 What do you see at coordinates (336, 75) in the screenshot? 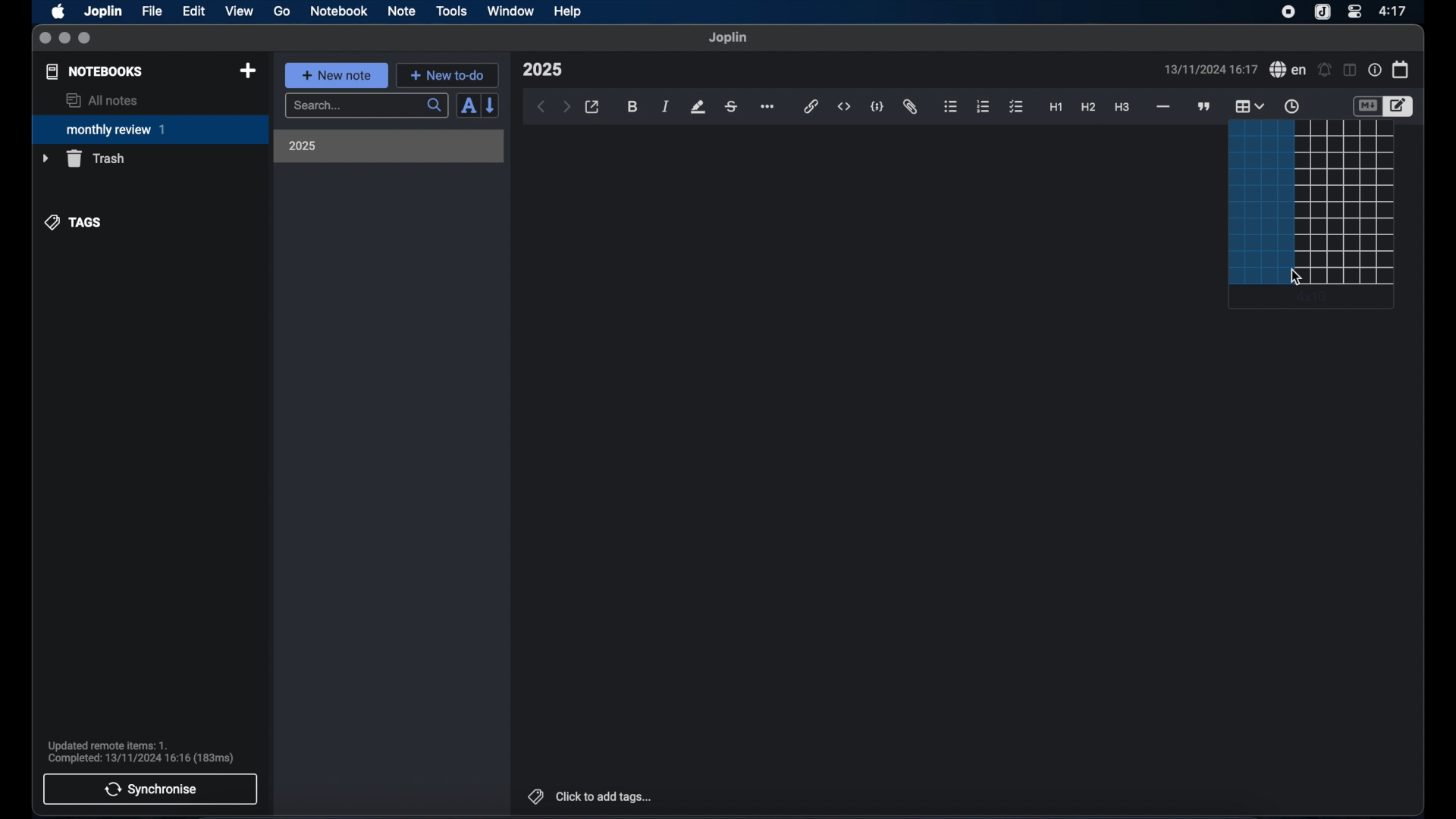
I see `new note` at bounding box center [336, 75].